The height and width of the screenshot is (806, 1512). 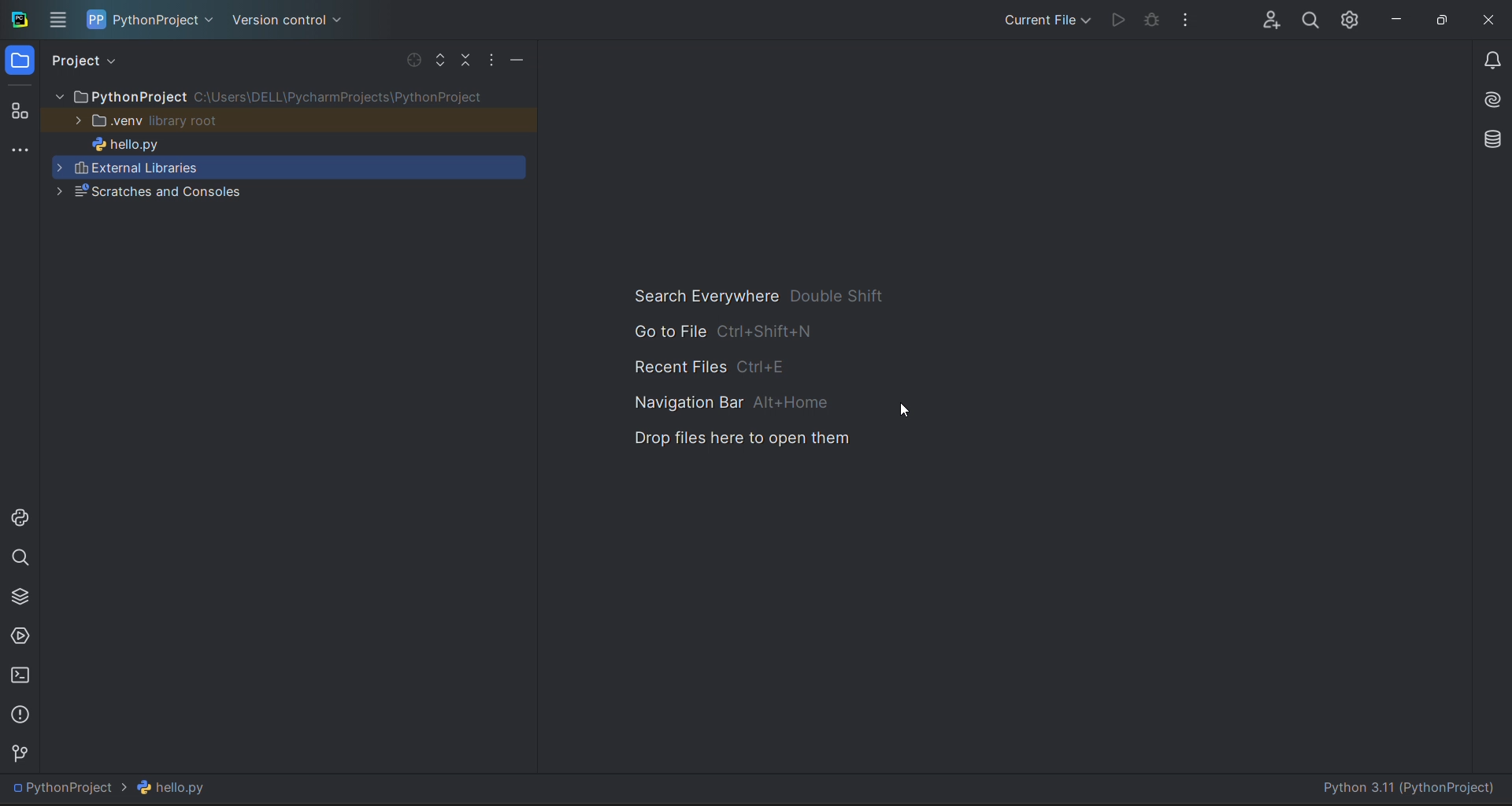 I want to click on minimize, so click(x=1394, y=18).